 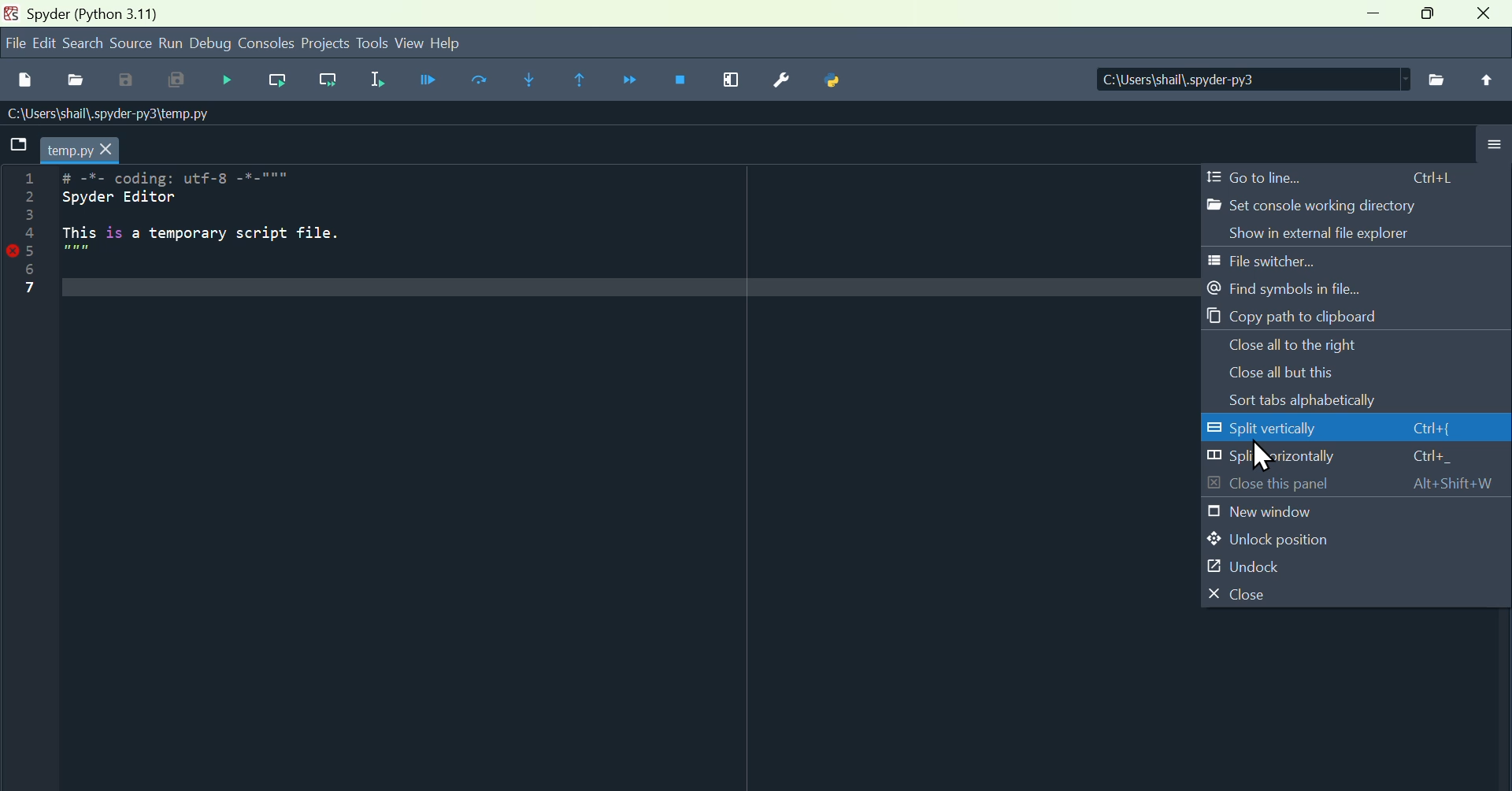 What do you see at coordinates (11, 14) in the screenshot?
I see `Spyder logo` at bounding box center [11, 14].